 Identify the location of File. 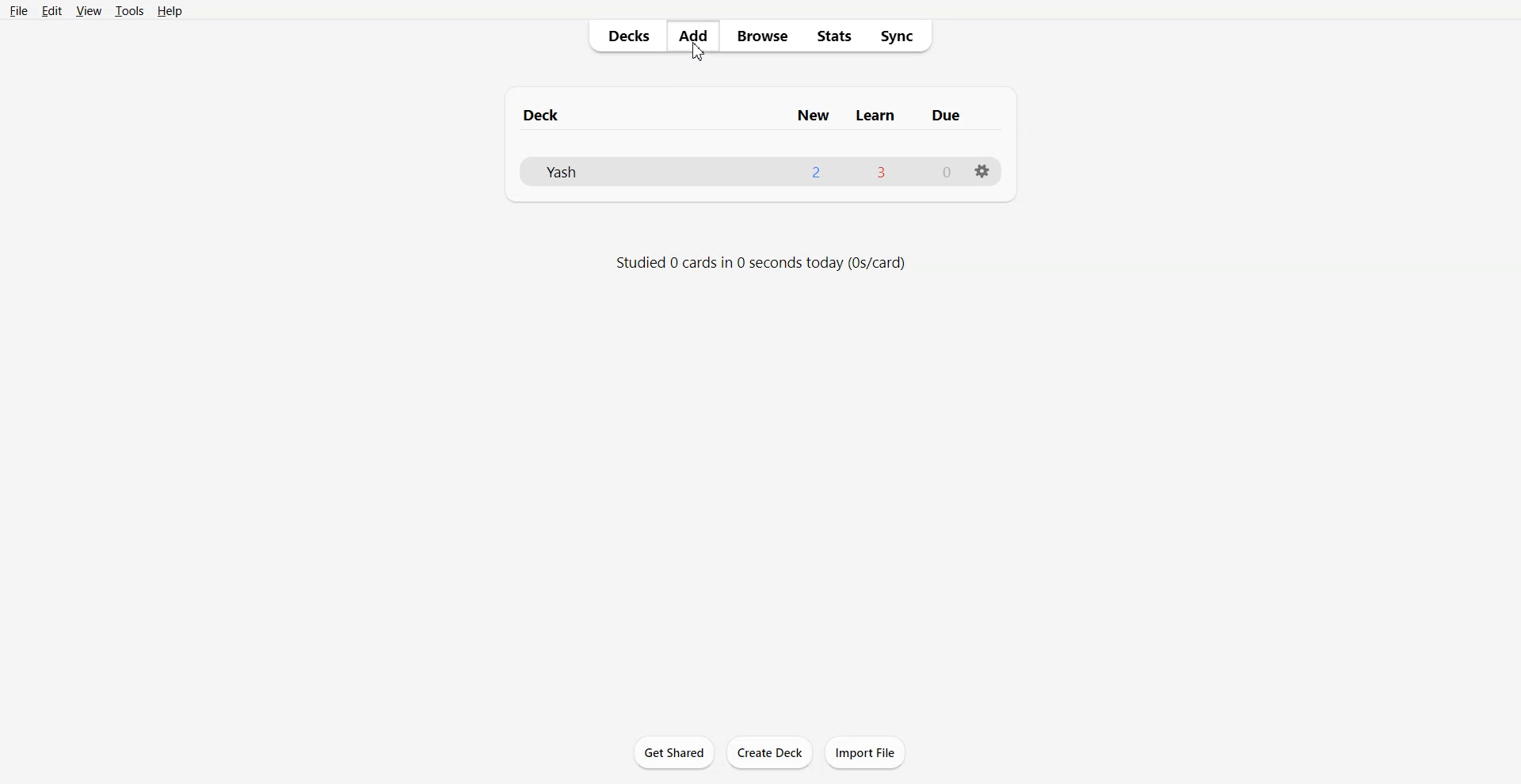
(20, 10).